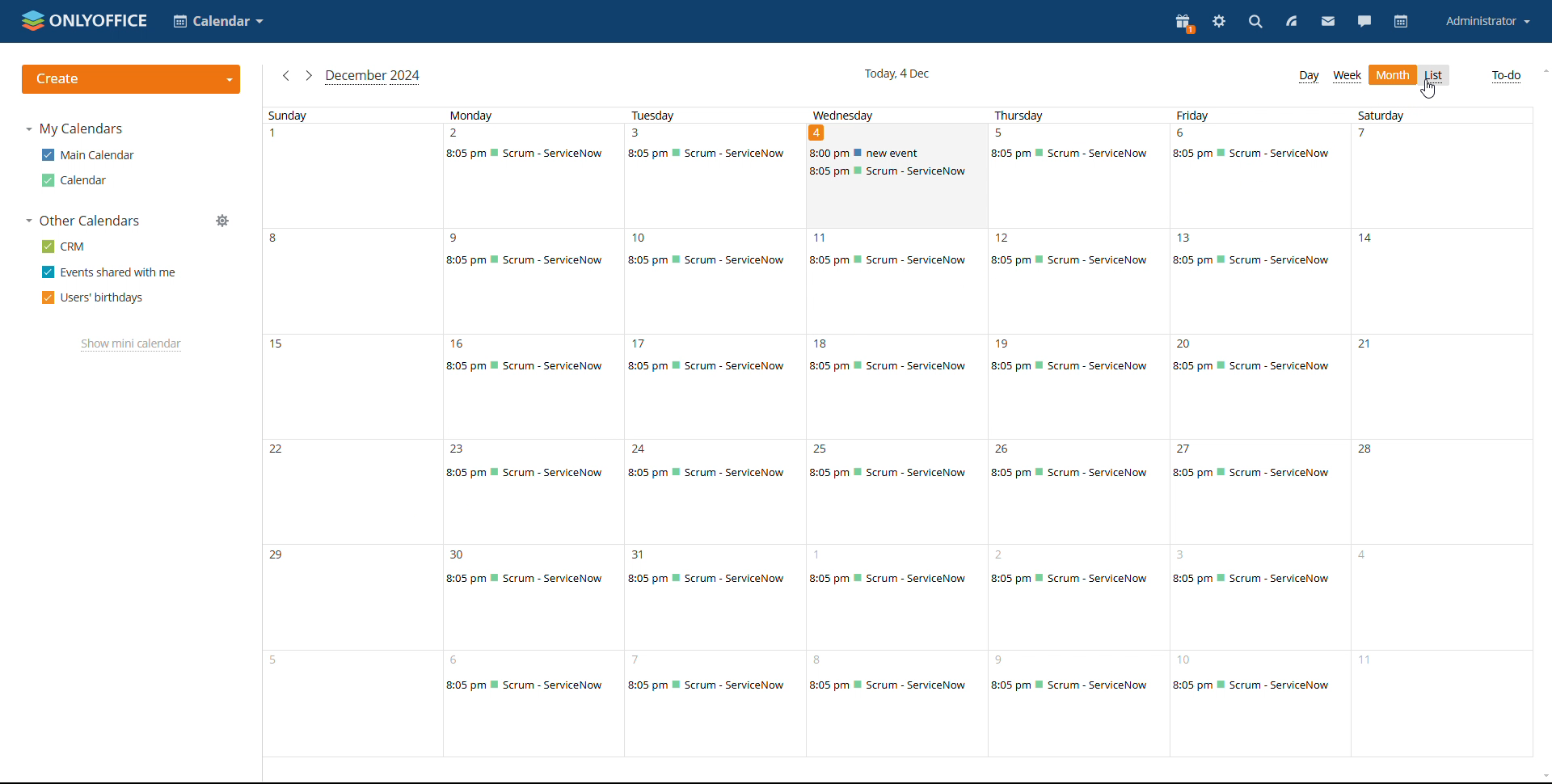 This screenshot has height=784, width=1552. Describe the element at coordinates (1401, 22) in the screenshot. I see `calendar` at that location.